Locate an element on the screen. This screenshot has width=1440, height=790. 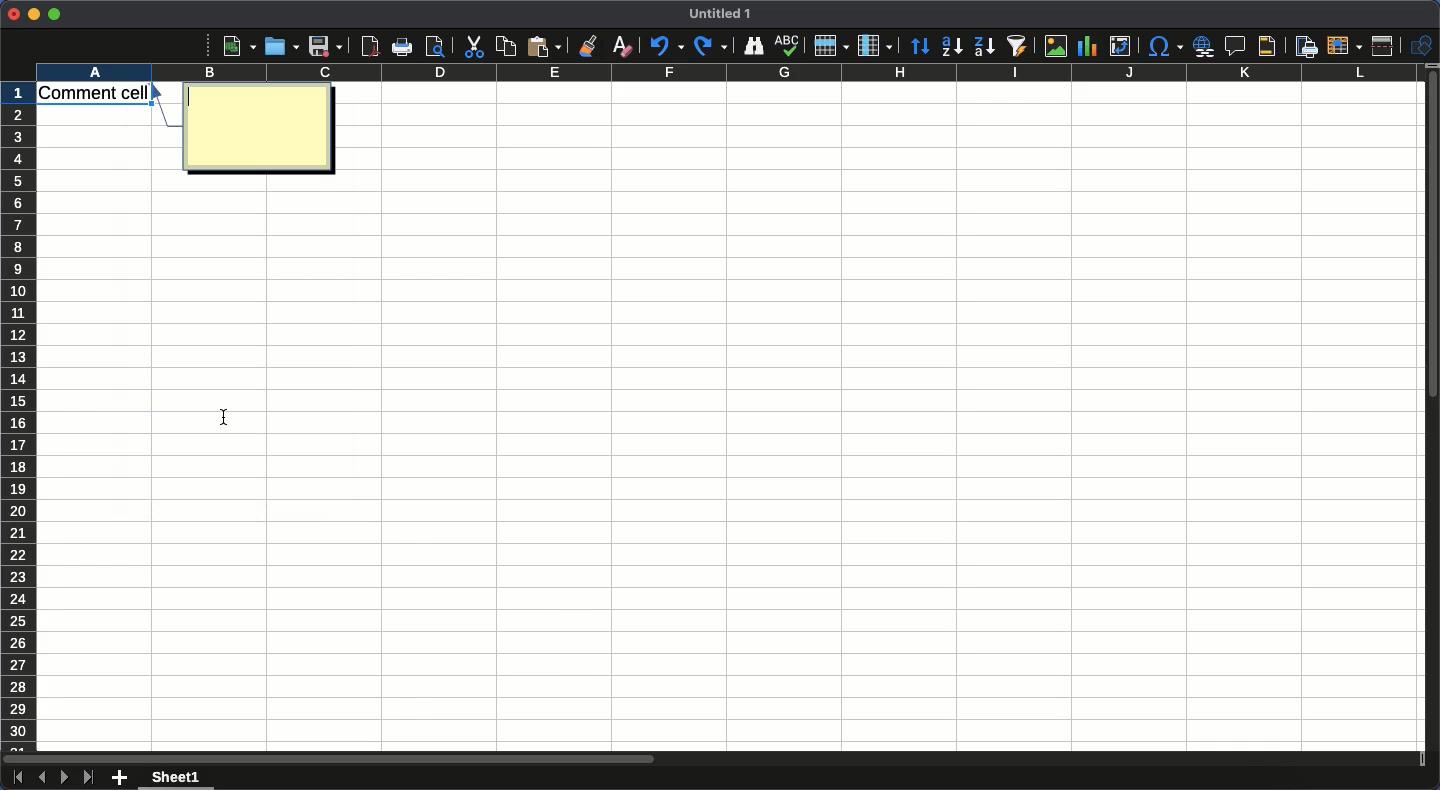
Insert hyperlink is located at coordinates (1202, 45).